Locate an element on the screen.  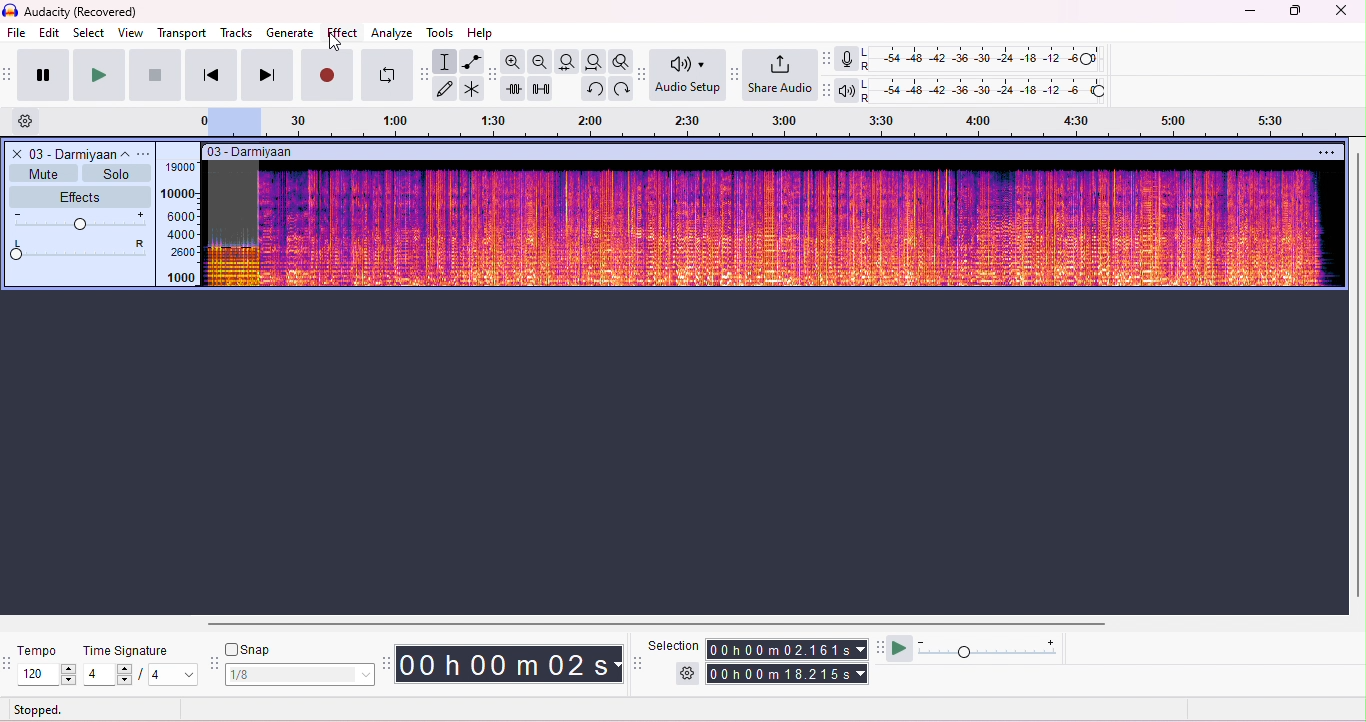
help is located at coordinates (482, 32).